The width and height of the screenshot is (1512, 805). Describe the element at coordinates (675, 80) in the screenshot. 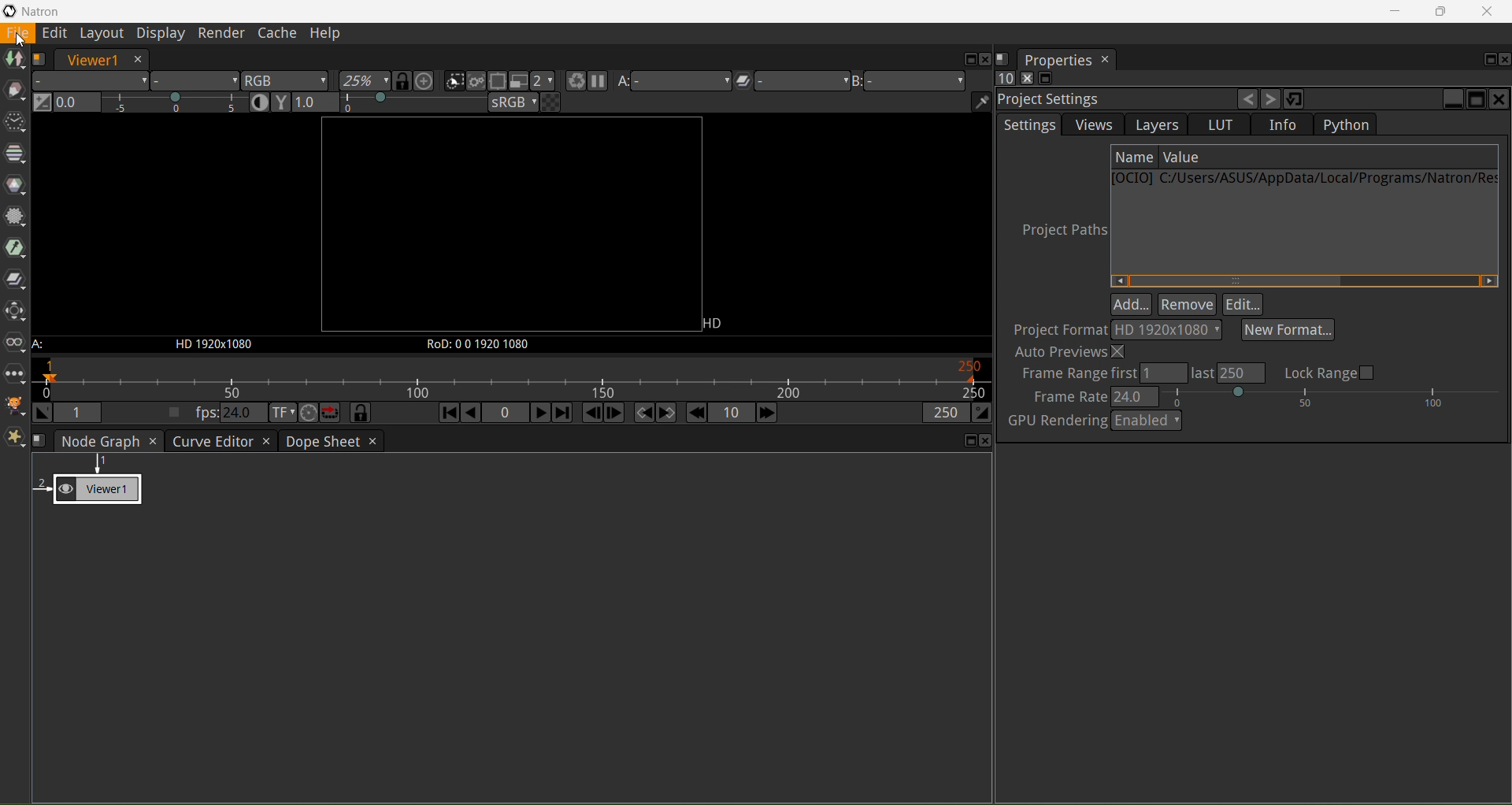

I see `Viewer Input A` at that location.